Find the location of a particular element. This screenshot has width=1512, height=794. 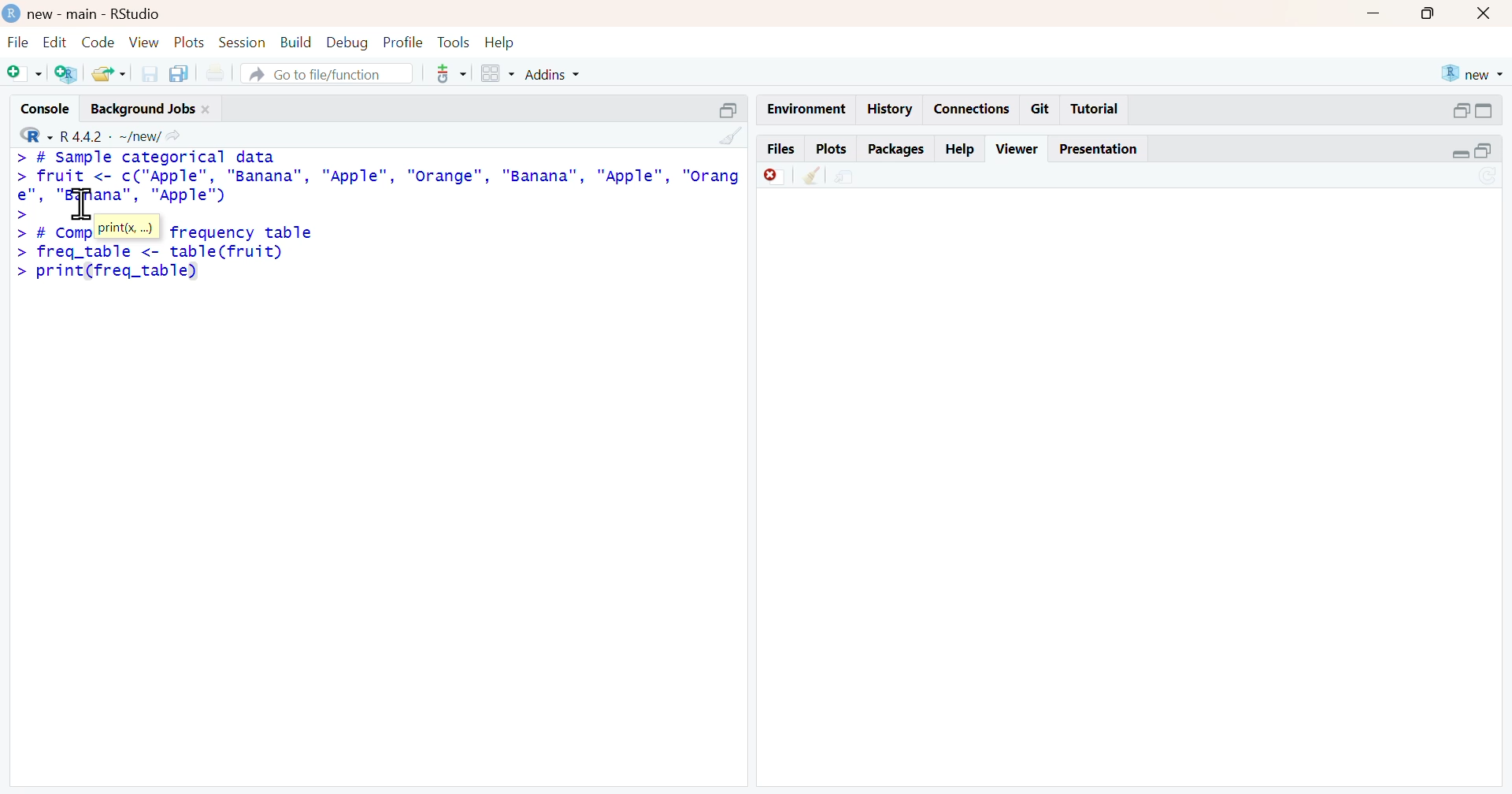

presentation is located at coordinates (1103, 150).